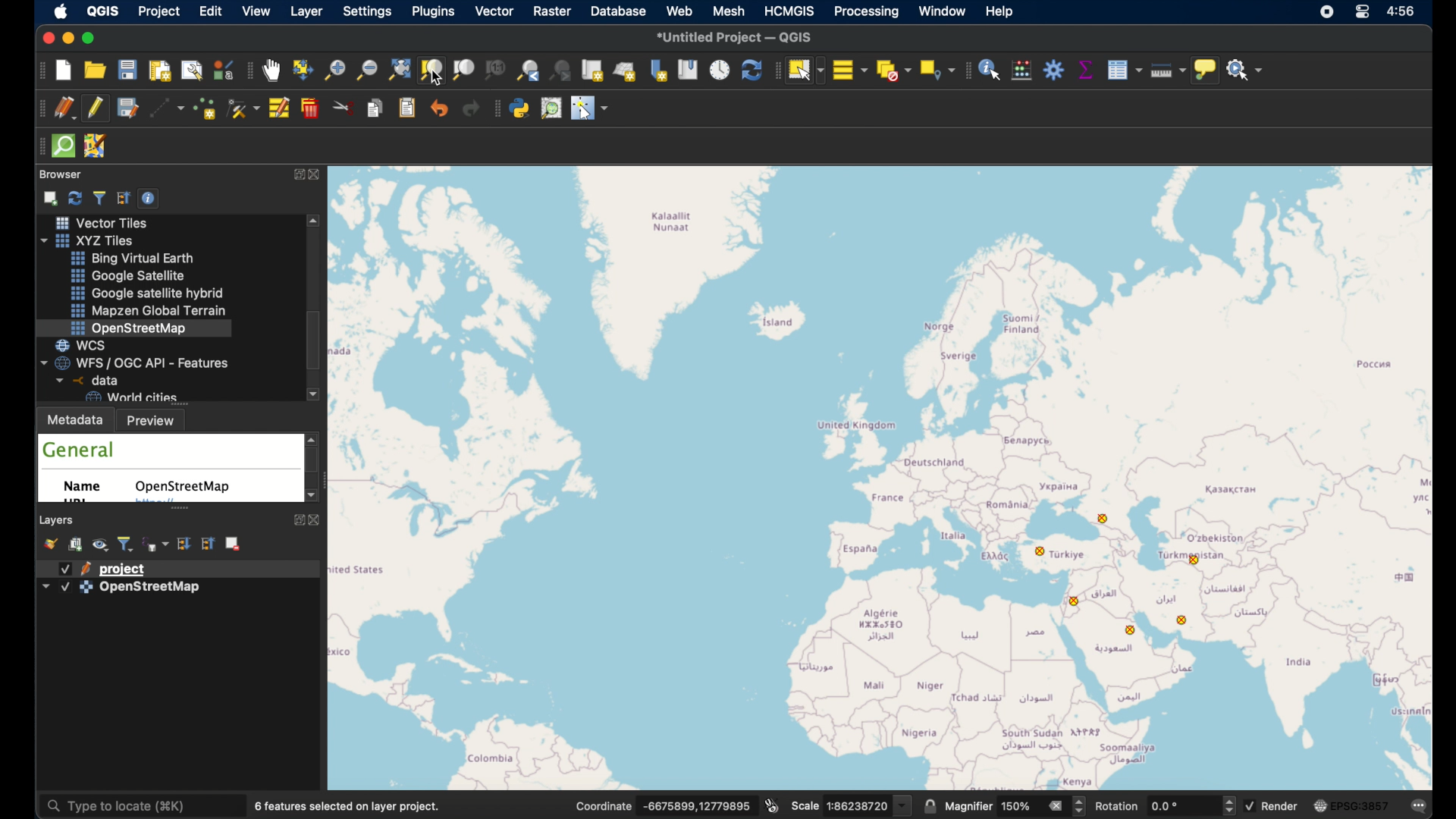 Image resolution: width=1456 pixels, height=819 pixels. What do you see at coordinates (1228, 805) in the screenshot?
I see `Increase or decrease rotation` at bounding box center [1228, 805].